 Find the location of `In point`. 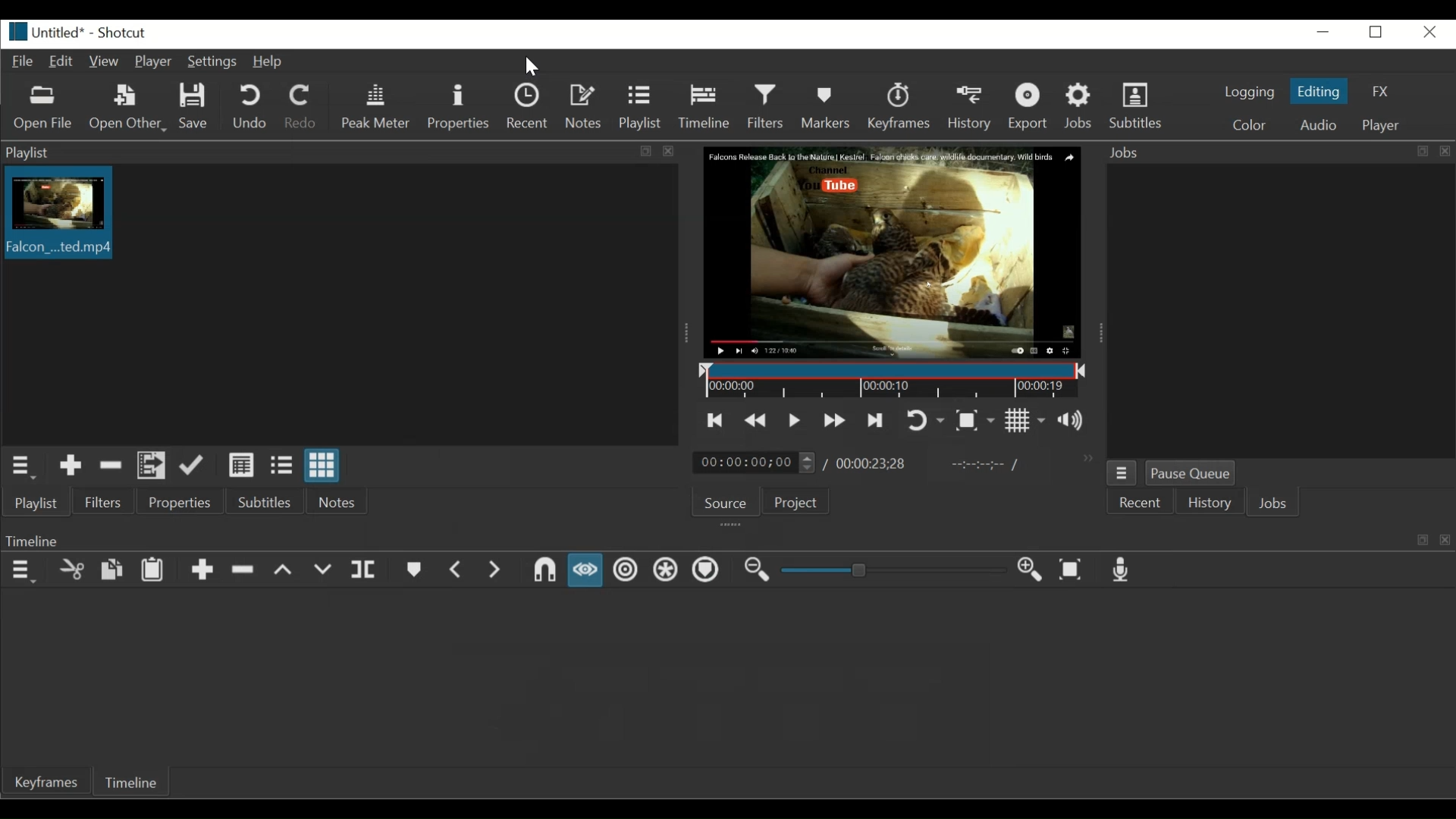

In point is located at coordinates (985, 465).